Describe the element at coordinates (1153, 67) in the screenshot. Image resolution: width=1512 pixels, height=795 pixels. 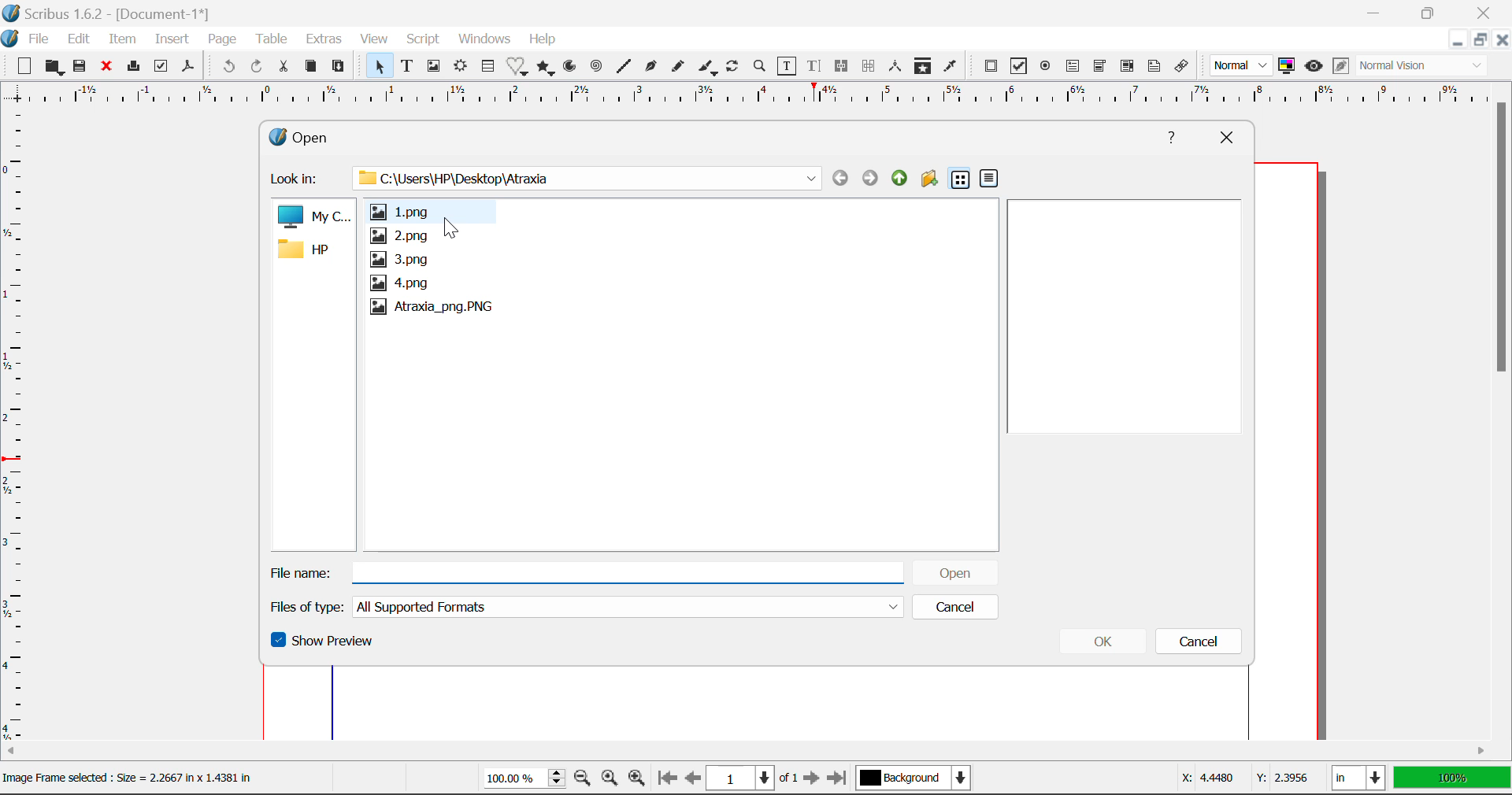
I see `Text Annotation` at that location.